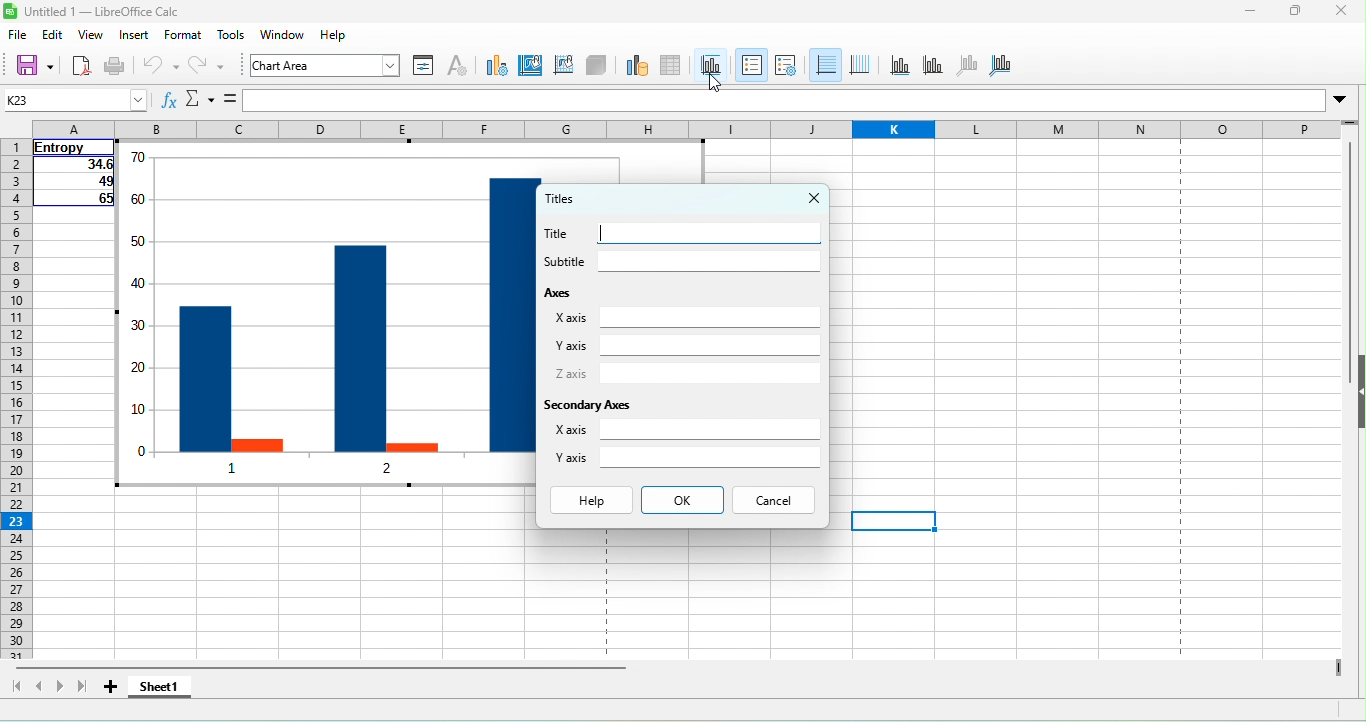 This screenshot has width=1366, height=722. What do you see at coordinates (682, 346) in the screenshot?
I see `y axis` at bounding box center [682, 346].